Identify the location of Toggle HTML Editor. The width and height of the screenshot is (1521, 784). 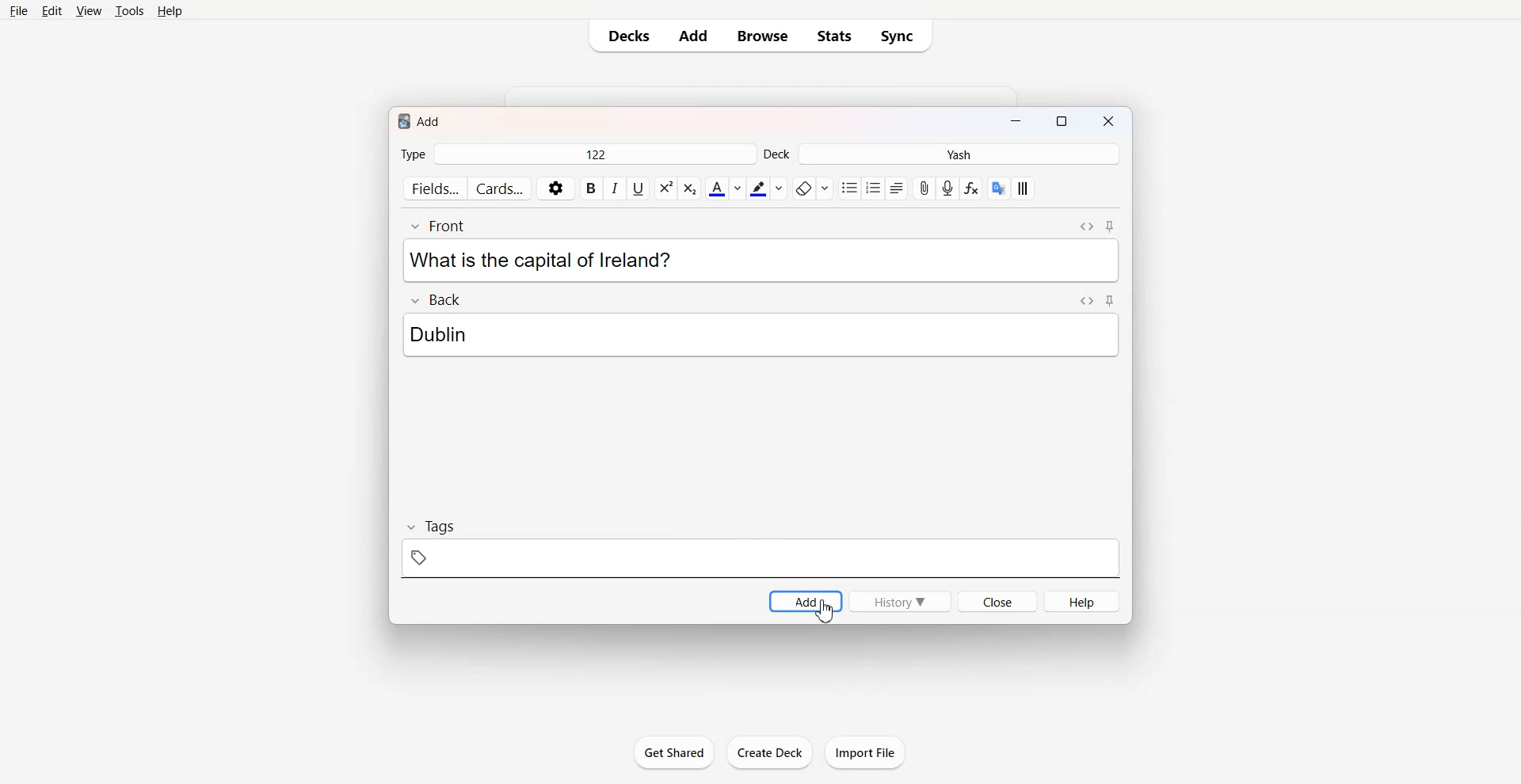
(1086, 226).